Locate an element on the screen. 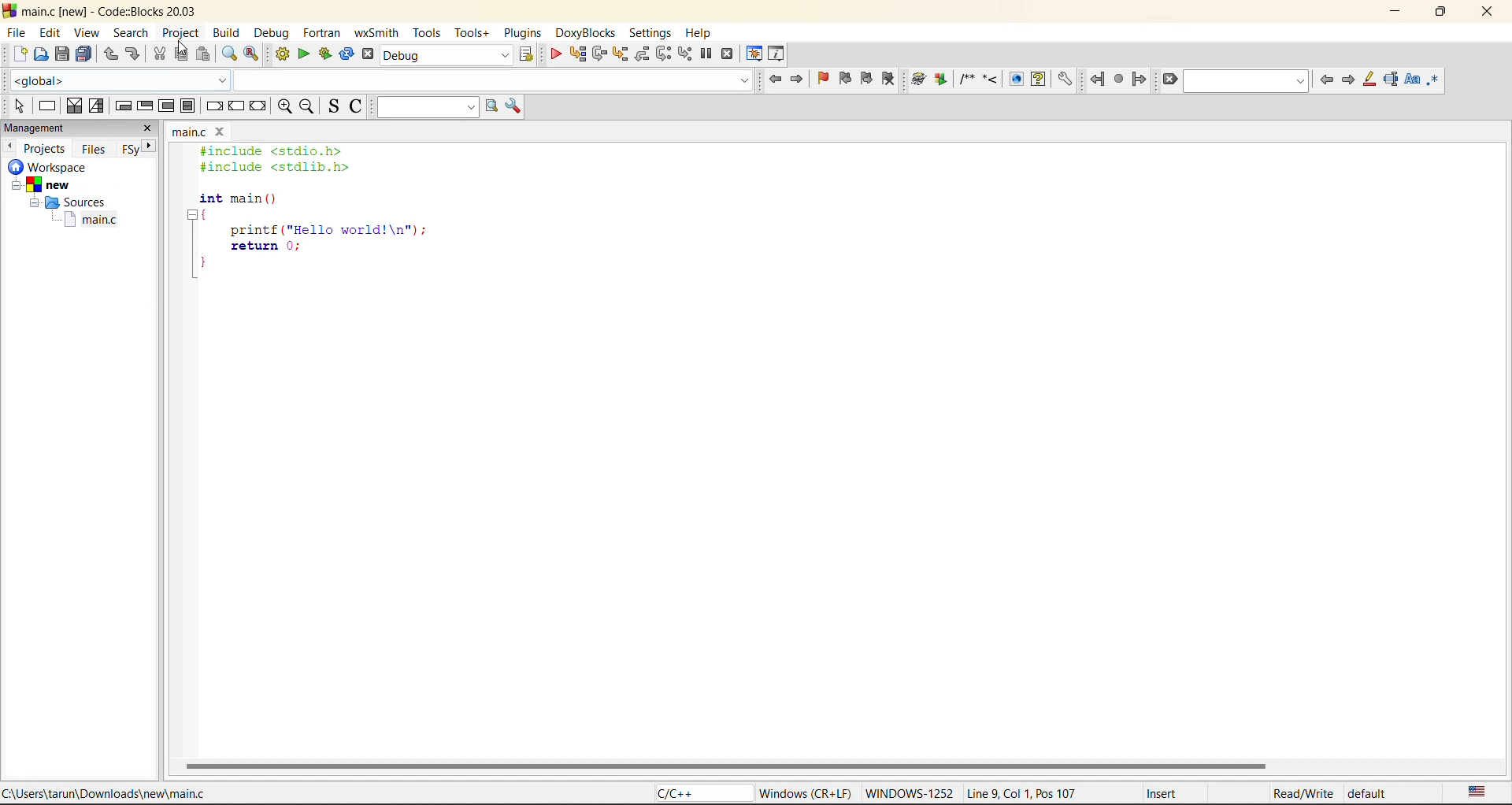 The image size is (1512, 805). selection is located at coordinates (98, 106).